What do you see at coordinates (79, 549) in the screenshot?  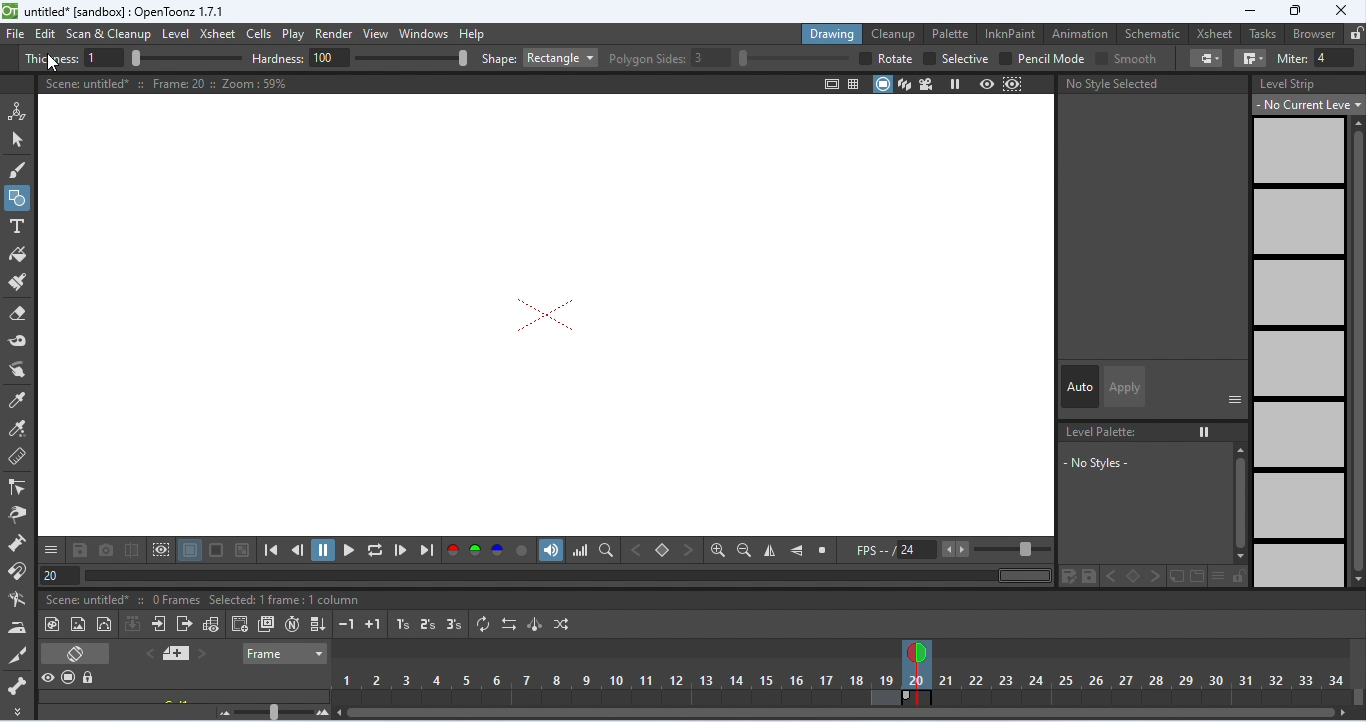 I see `save images` at bounding box center [79, 549].